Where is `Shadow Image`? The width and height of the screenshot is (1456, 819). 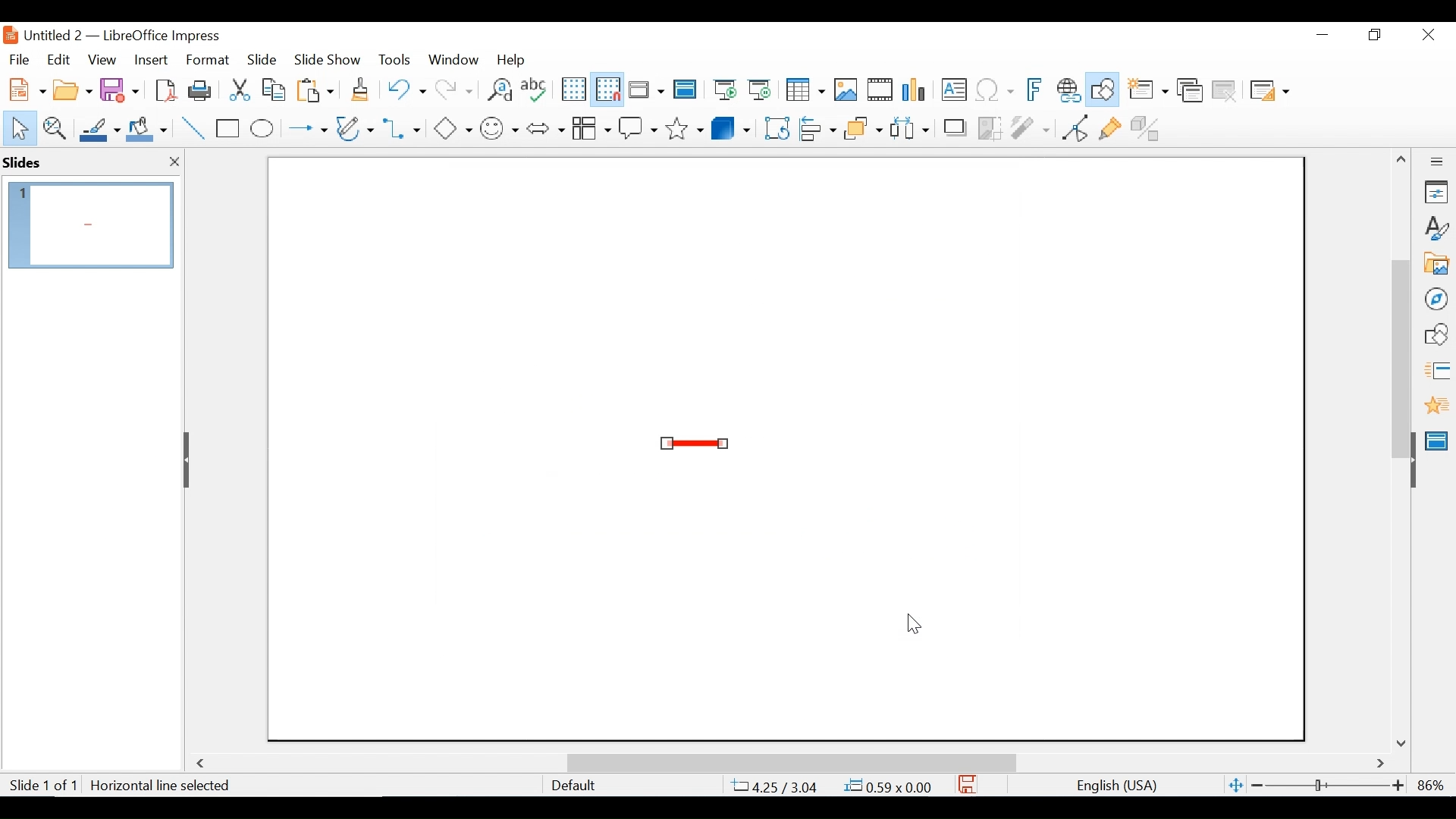
Shadow Image is located at coordinates (956, 127).